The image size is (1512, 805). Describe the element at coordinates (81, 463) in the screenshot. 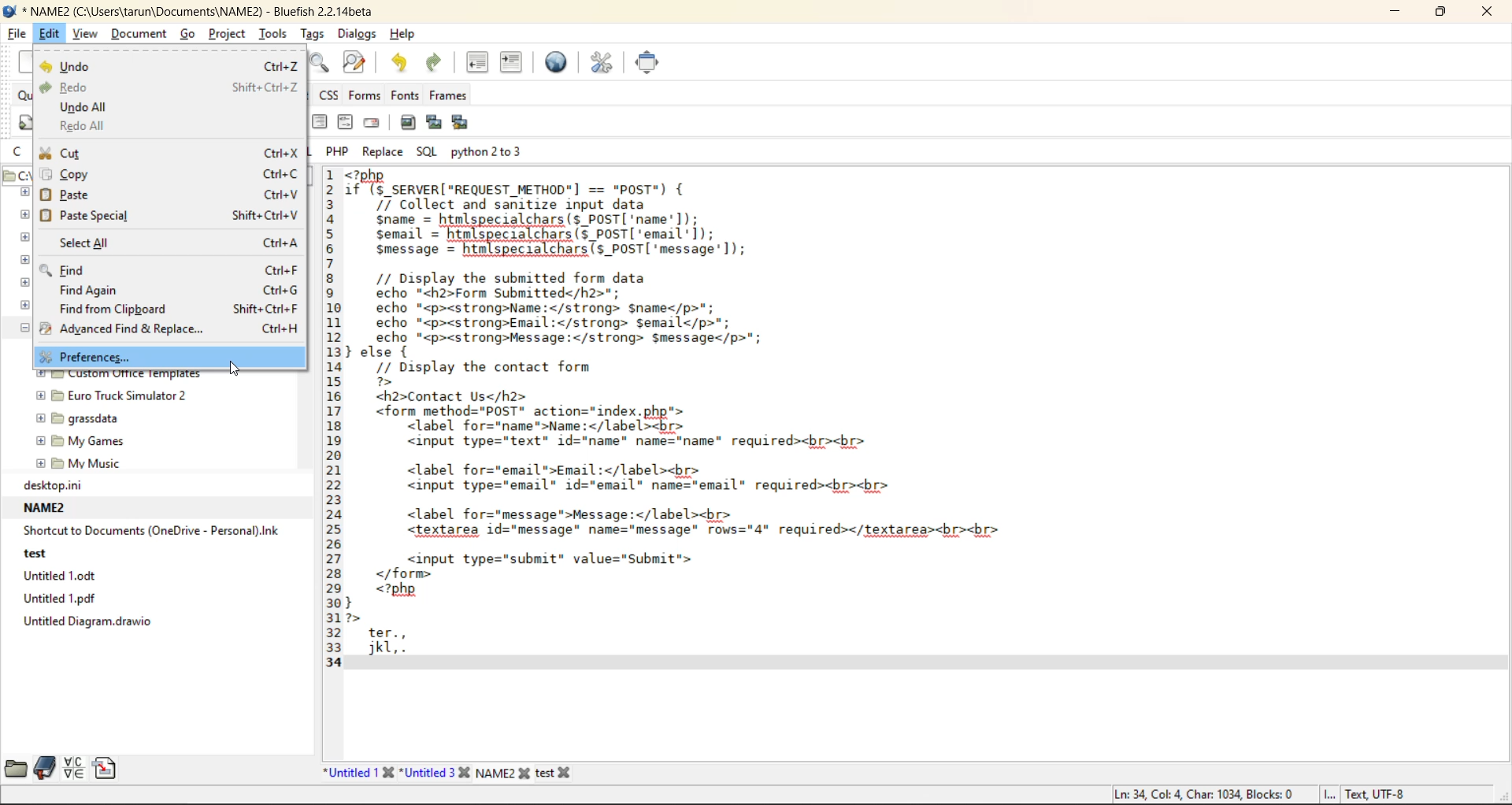

I see `My Music` at that location.